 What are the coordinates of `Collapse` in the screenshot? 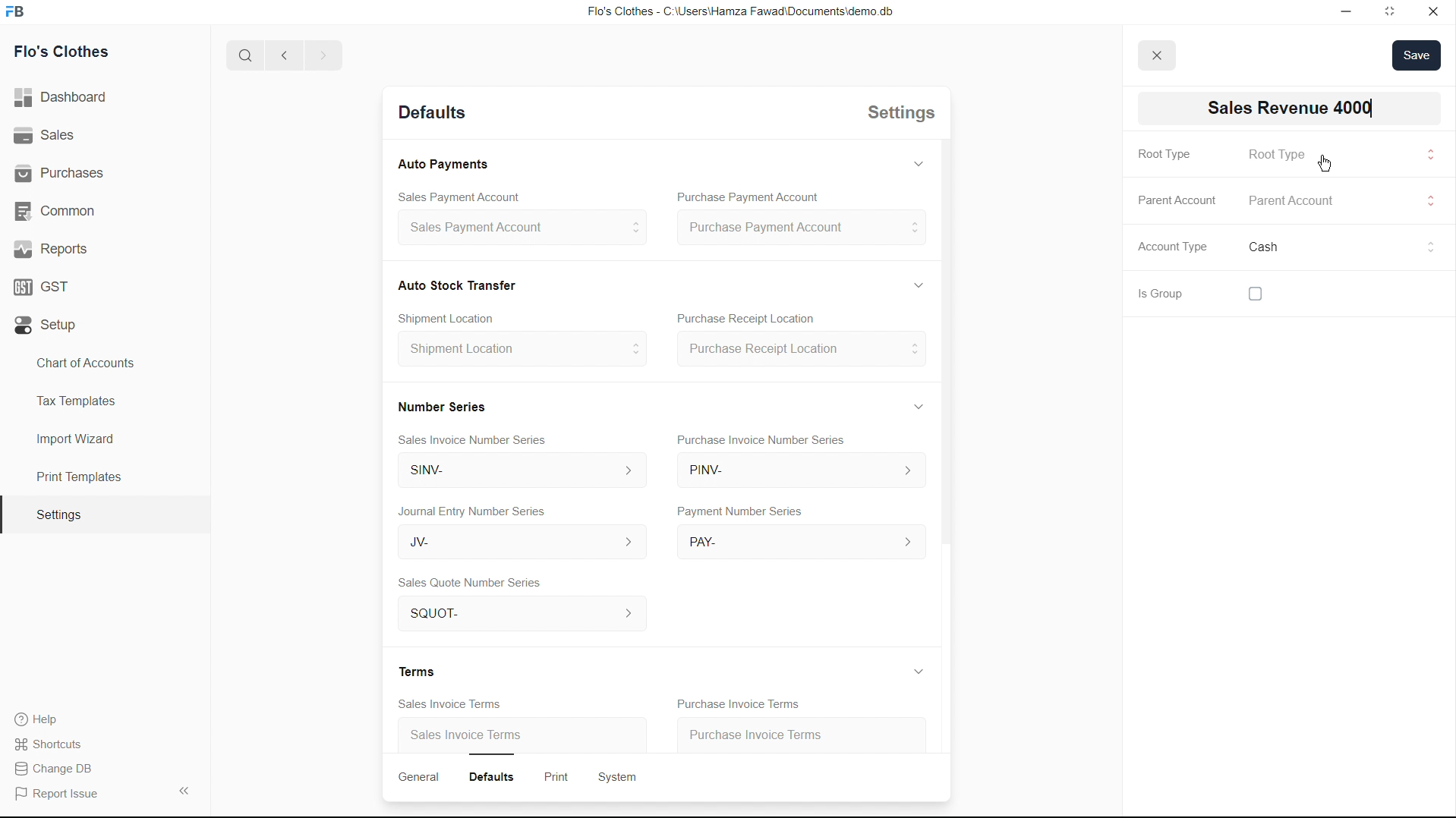 It's located at (183, 790).